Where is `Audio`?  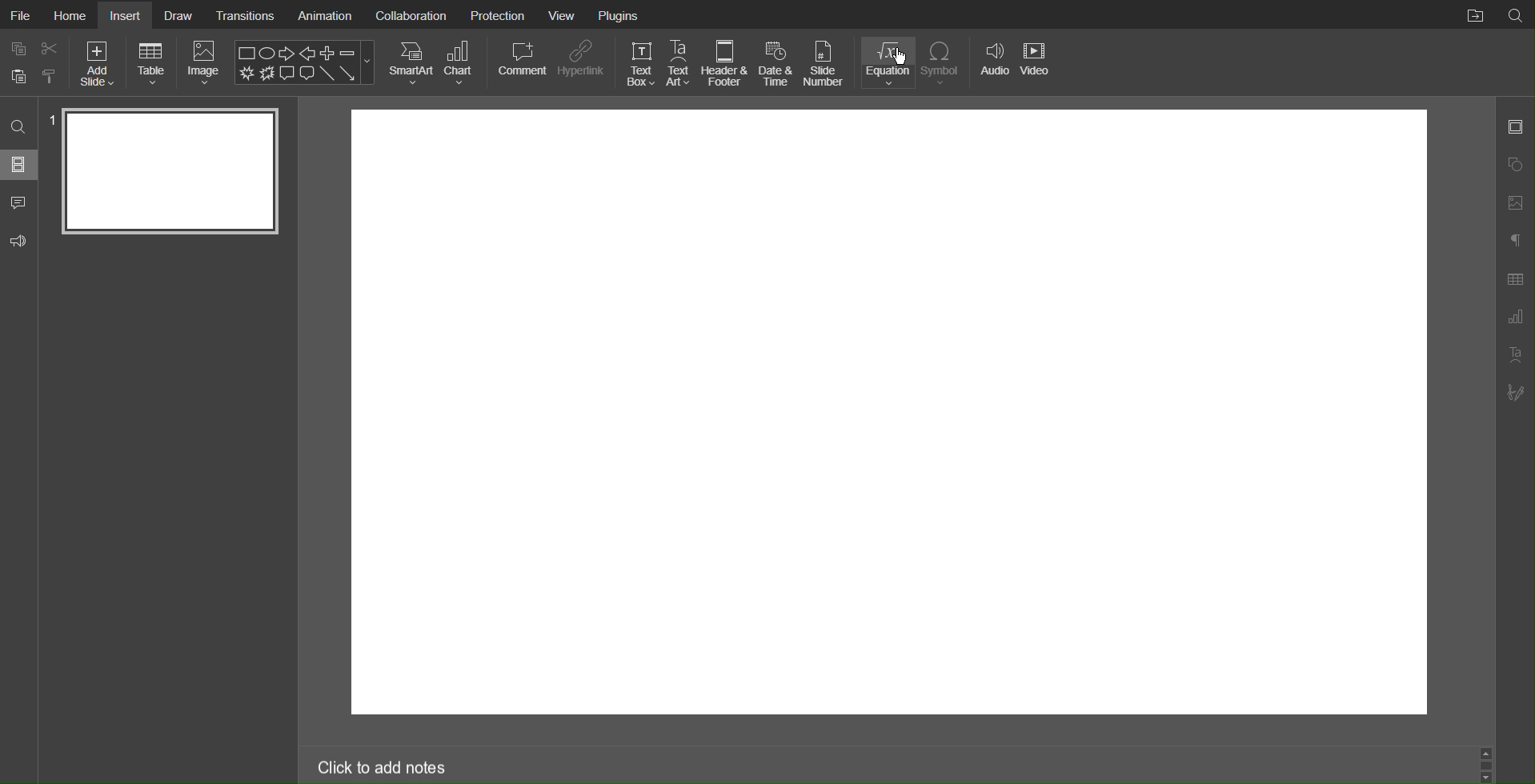
Audio is located at coordinates (996, 63).